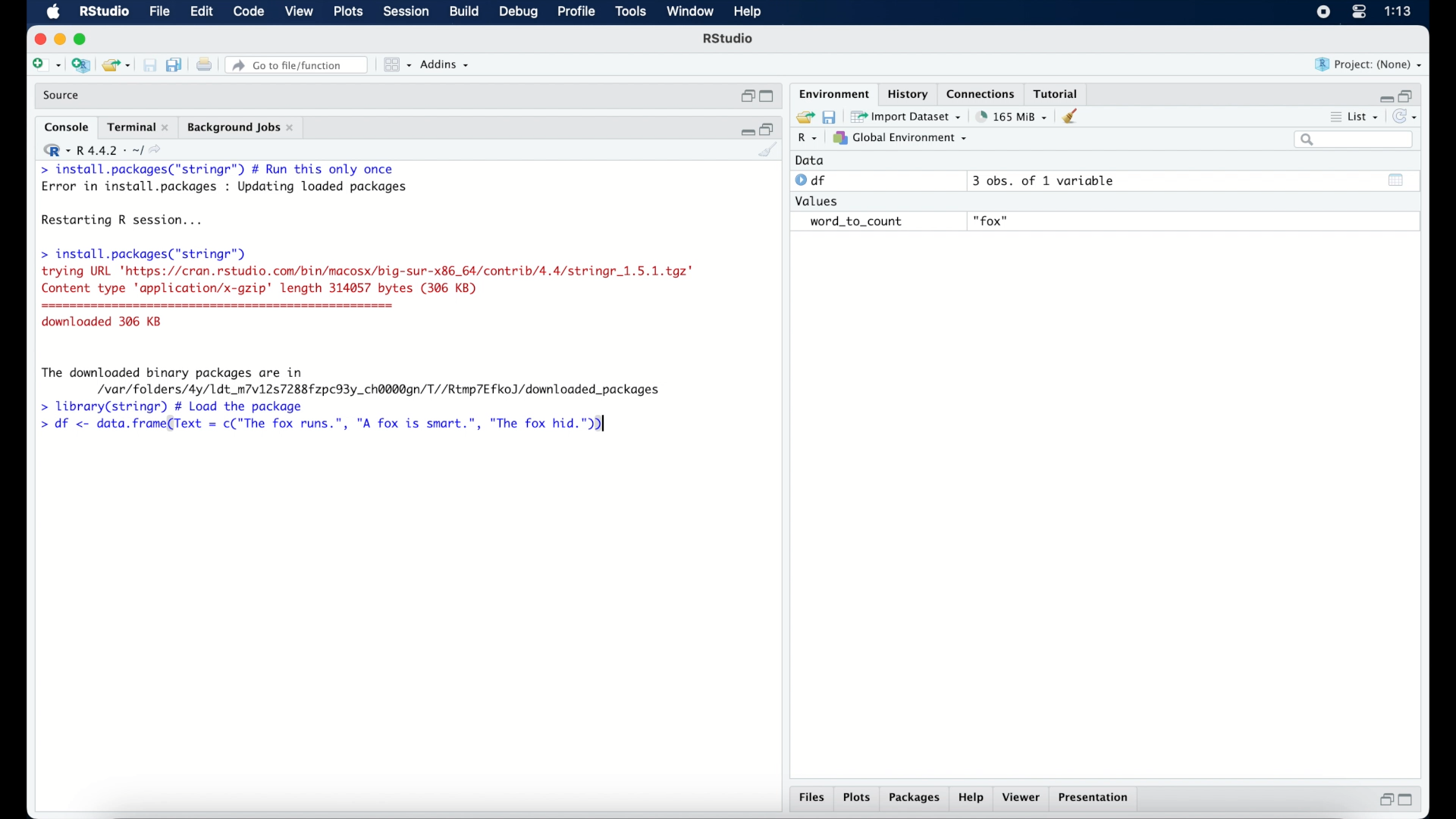  What do you see at coordinates (53, 12) in the screenshot?
I see `macOS` at bounding box center [53, 12].